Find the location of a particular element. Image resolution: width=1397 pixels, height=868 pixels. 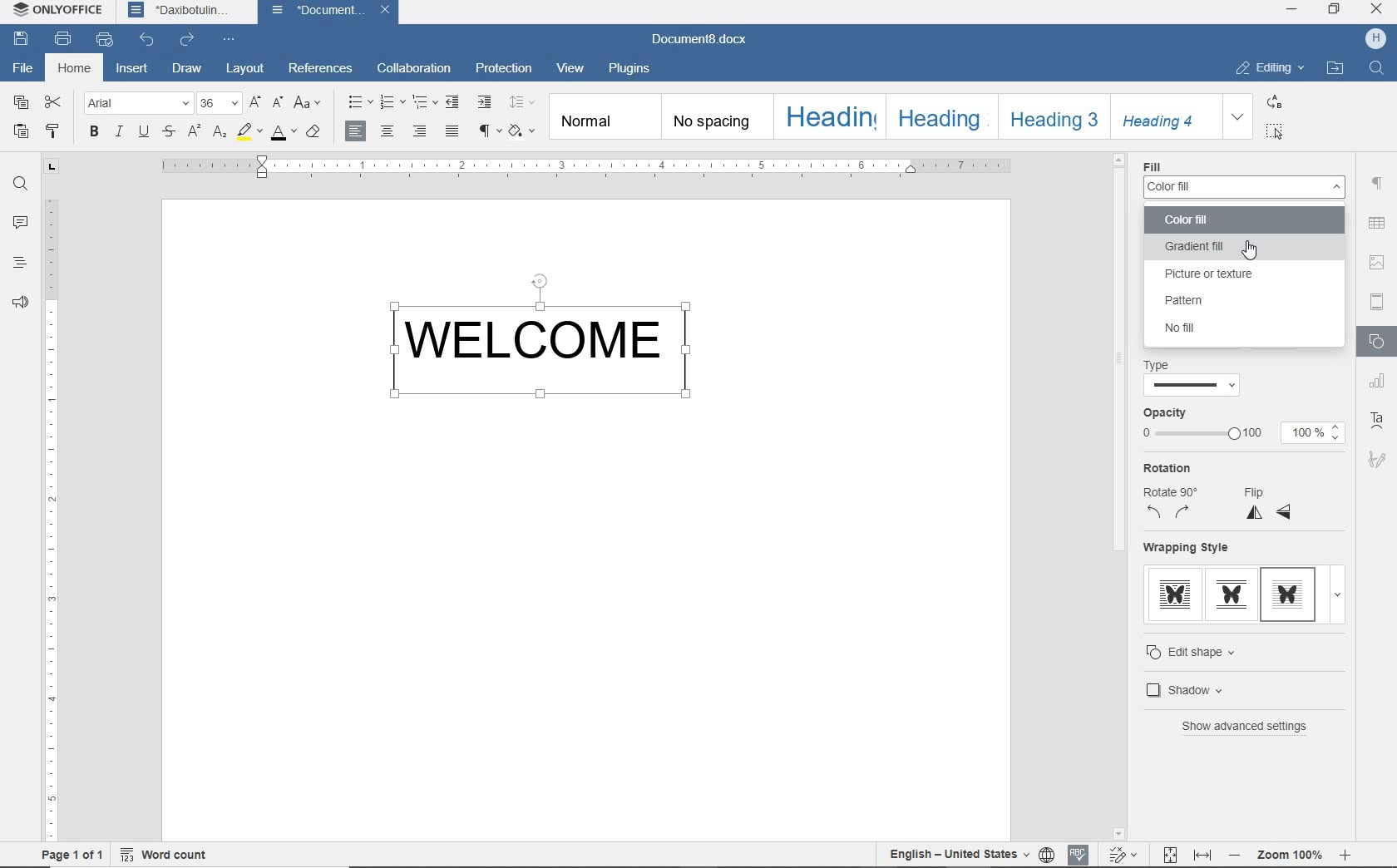

HP is located at coordinates (1375, 39).